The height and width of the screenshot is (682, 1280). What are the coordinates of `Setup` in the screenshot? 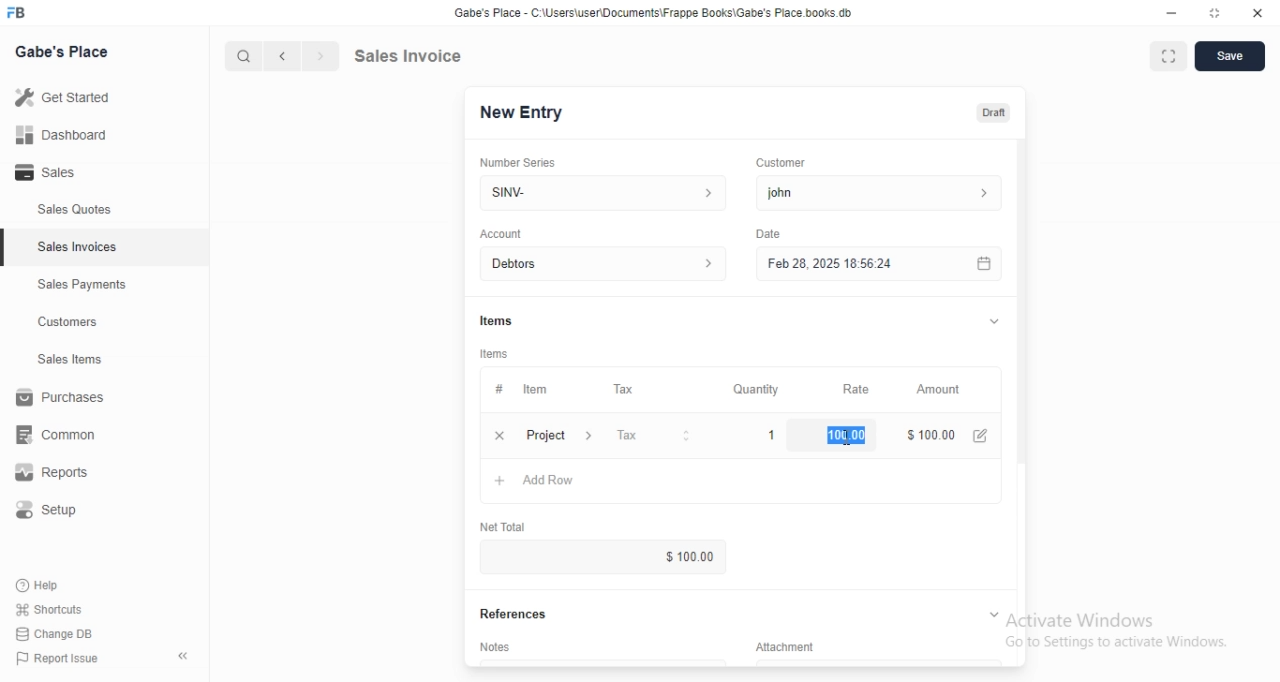 It's located at (57, 513).